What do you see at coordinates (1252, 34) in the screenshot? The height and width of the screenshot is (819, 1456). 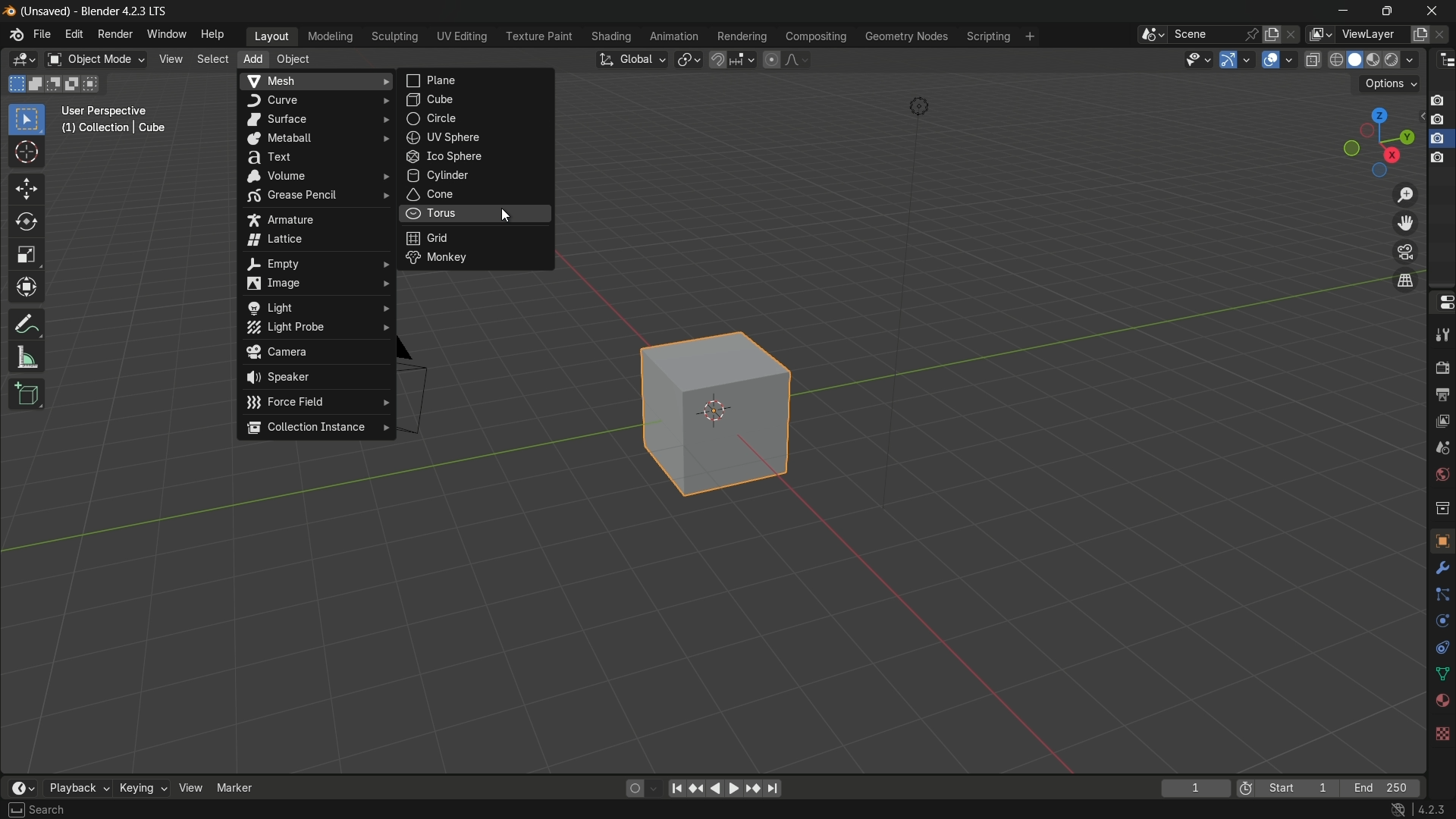 I see `pin scene to workplace` at bounding box center [1252, 34].